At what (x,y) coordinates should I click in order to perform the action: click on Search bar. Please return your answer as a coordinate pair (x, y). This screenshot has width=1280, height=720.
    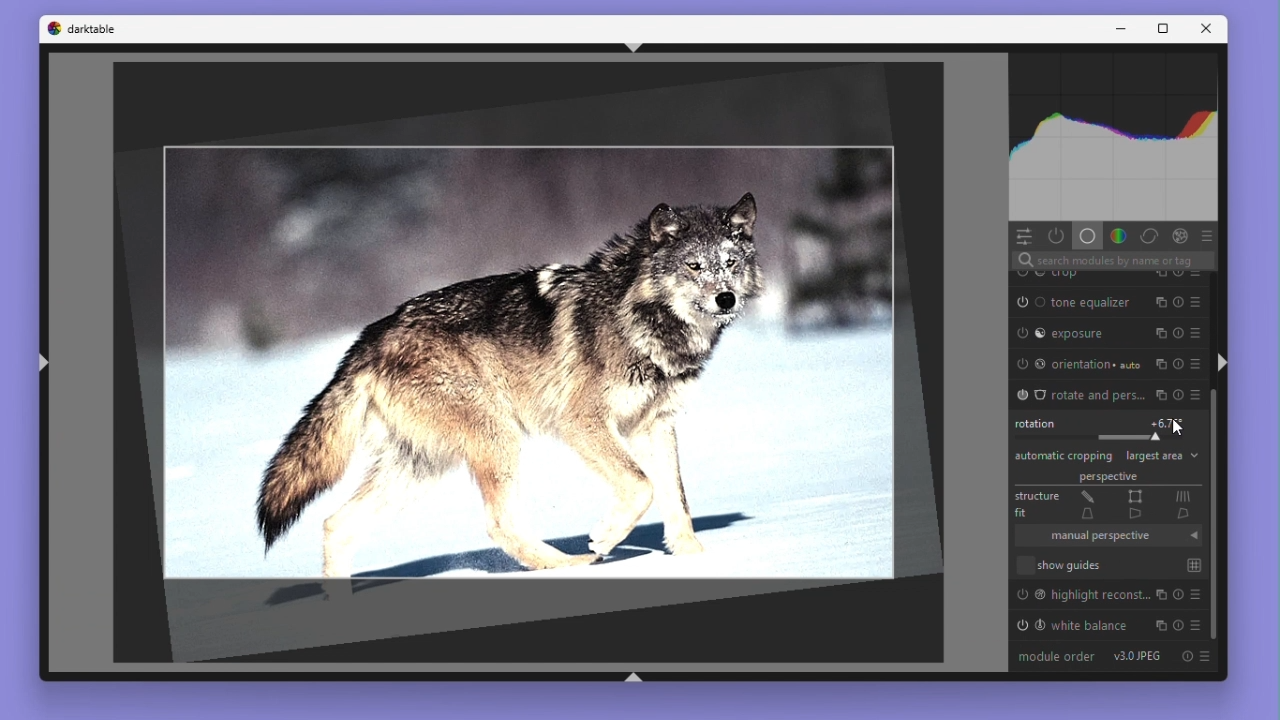
    Looking at the image, I should click on (1106, 261).